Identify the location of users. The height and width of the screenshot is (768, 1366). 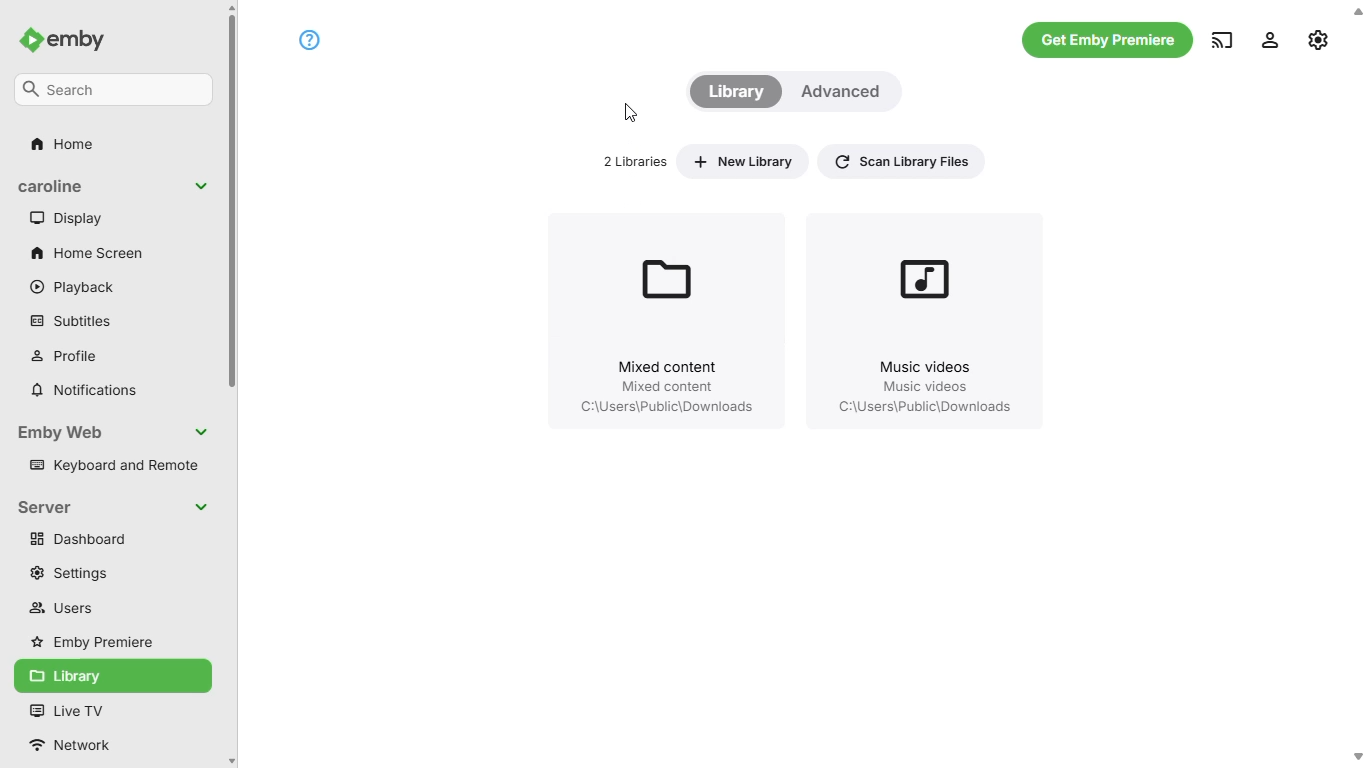
(58, 607).